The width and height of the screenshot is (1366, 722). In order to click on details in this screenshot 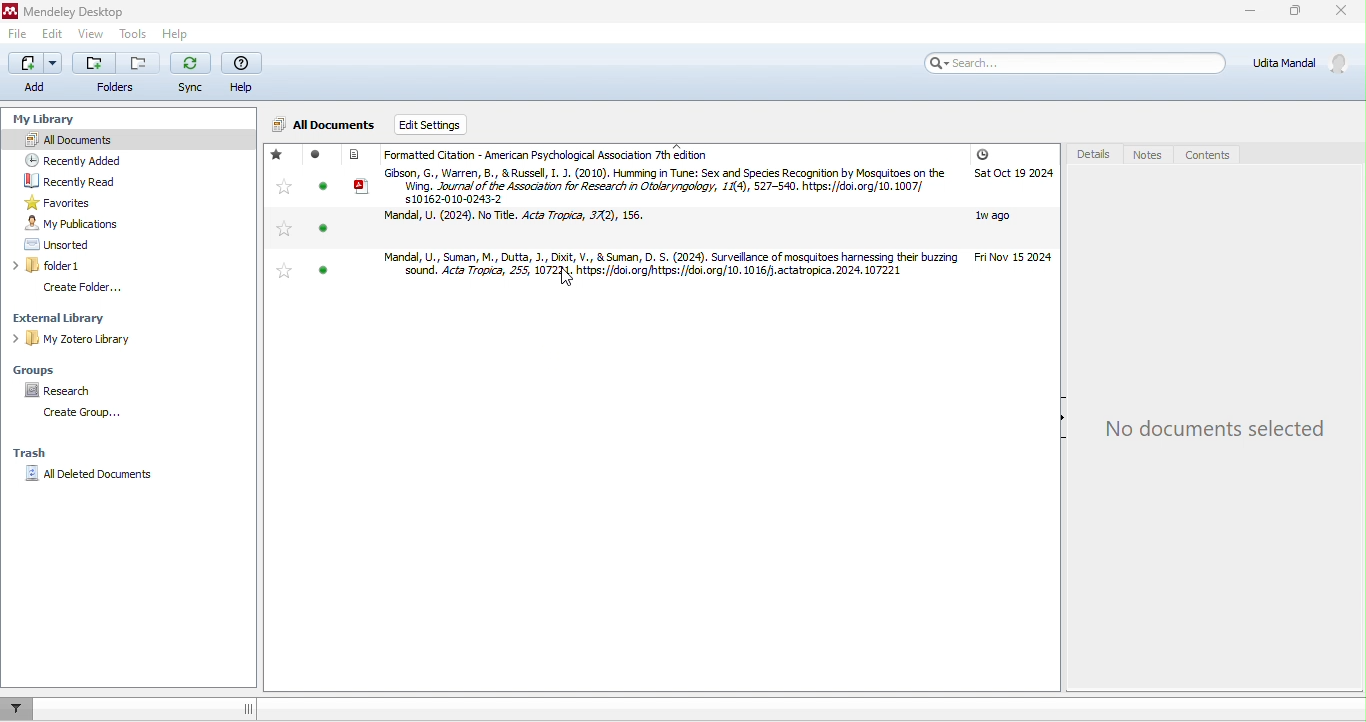, I will do `click(1091, 155)`.